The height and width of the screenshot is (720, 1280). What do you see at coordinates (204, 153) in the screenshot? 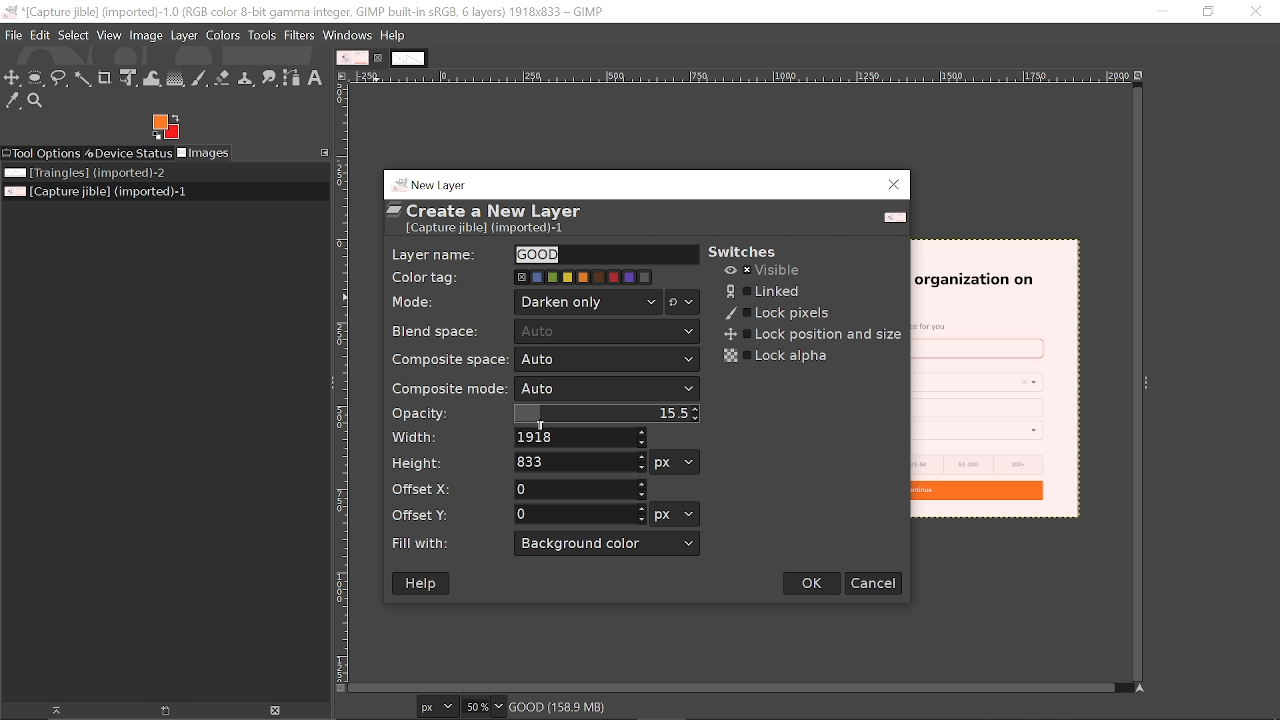
I see `Images` at bounding box center [204, 153].